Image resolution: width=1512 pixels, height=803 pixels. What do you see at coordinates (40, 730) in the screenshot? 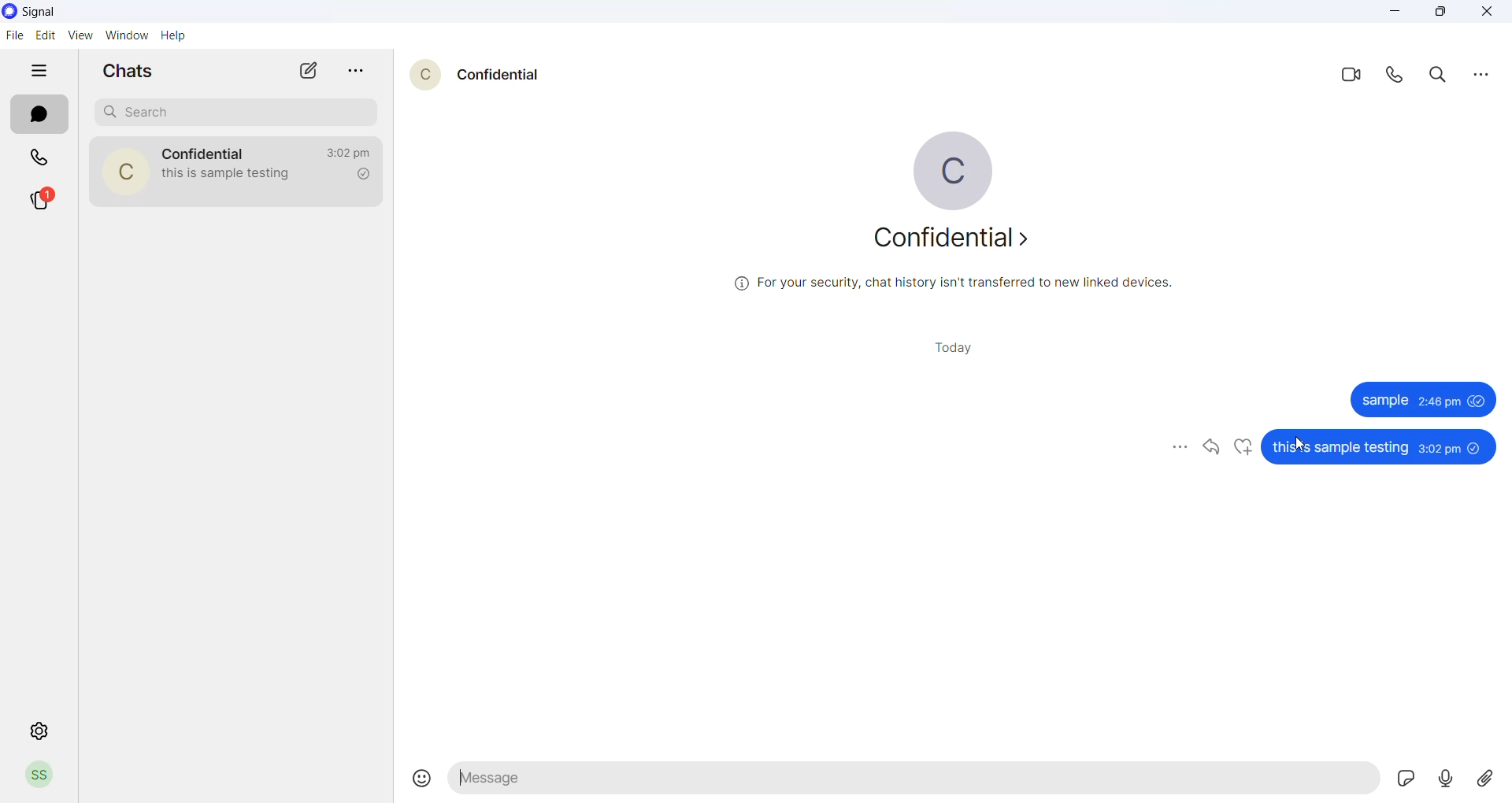
I see `settings ` at bounding box center [40, 730].